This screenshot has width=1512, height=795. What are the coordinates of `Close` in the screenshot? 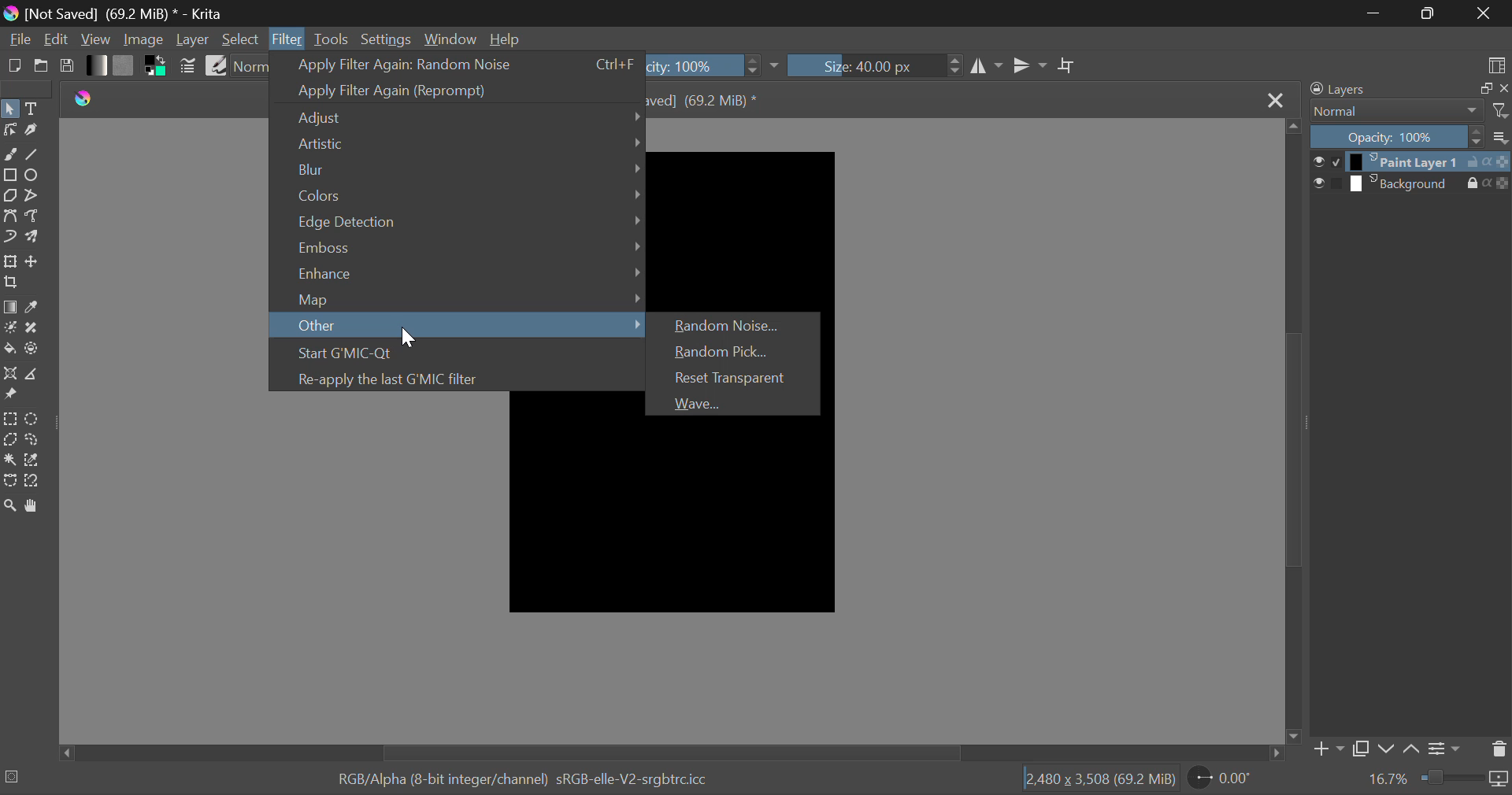 It's located at (1484, 13).